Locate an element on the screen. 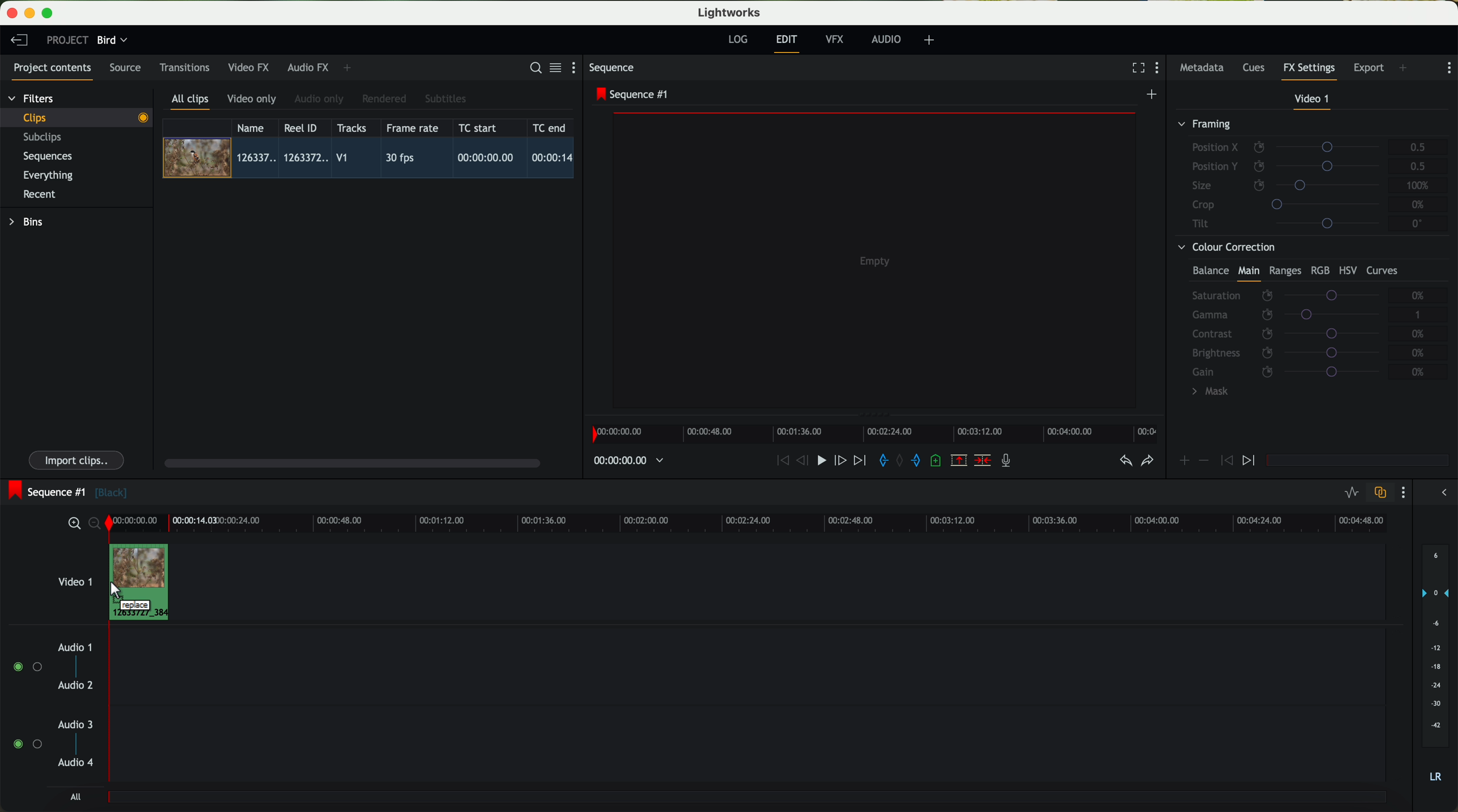 The width and height of the screenshot is (1458, 812). show settings menu is located at coordinates (578, 67).